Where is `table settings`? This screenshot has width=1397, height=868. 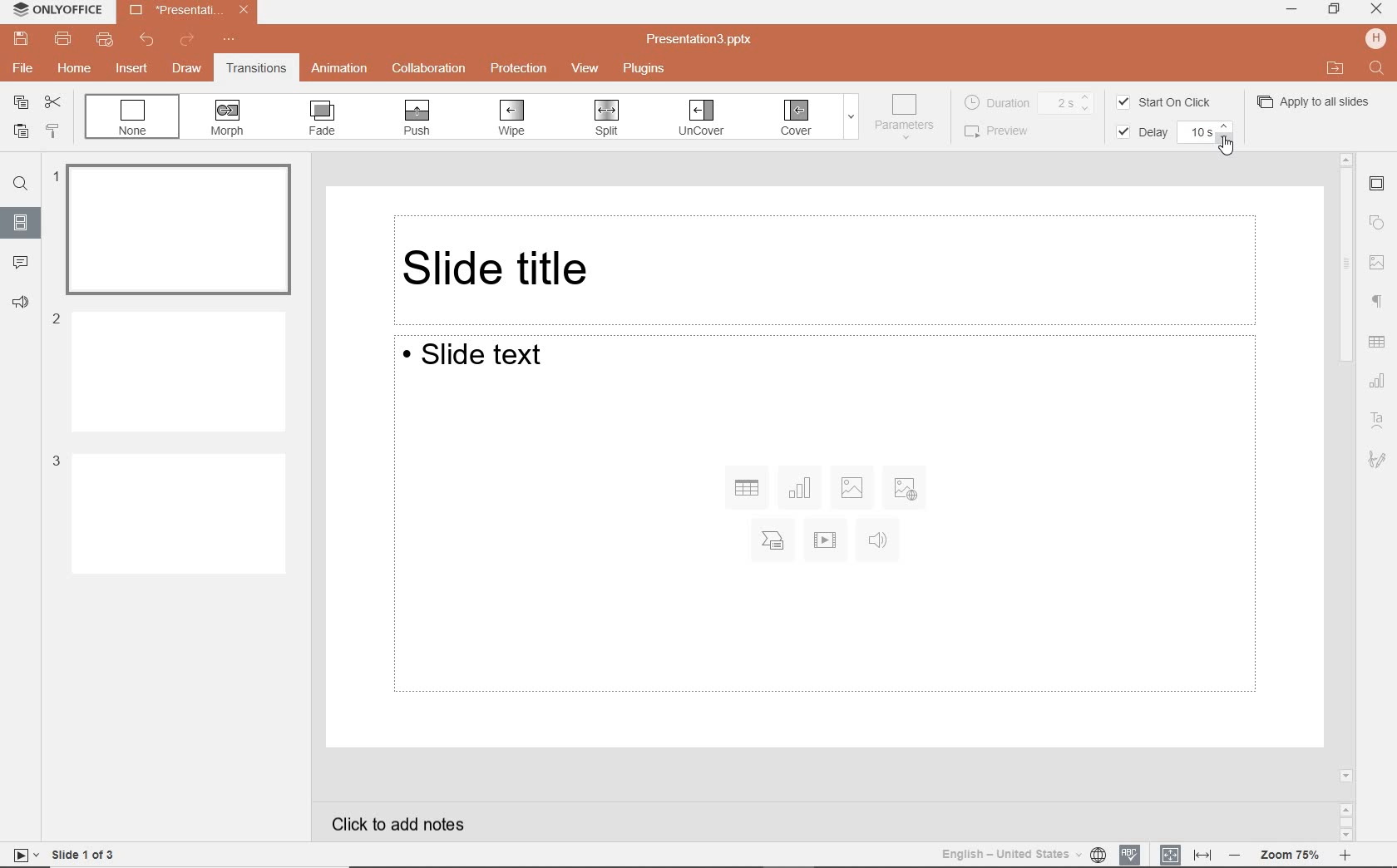 table settings is located at coordinates (1377, 342).